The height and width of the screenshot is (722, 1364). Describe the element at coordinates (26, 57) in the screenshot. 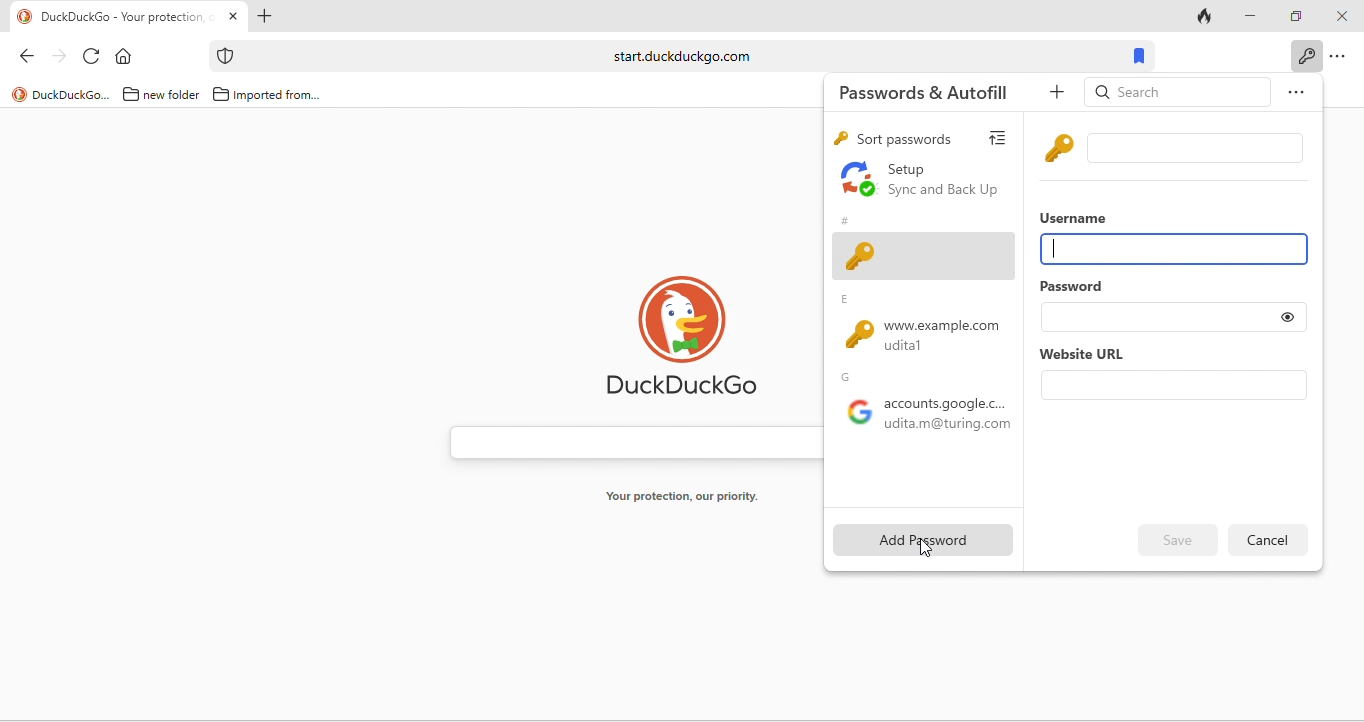

I see `back` at that location.